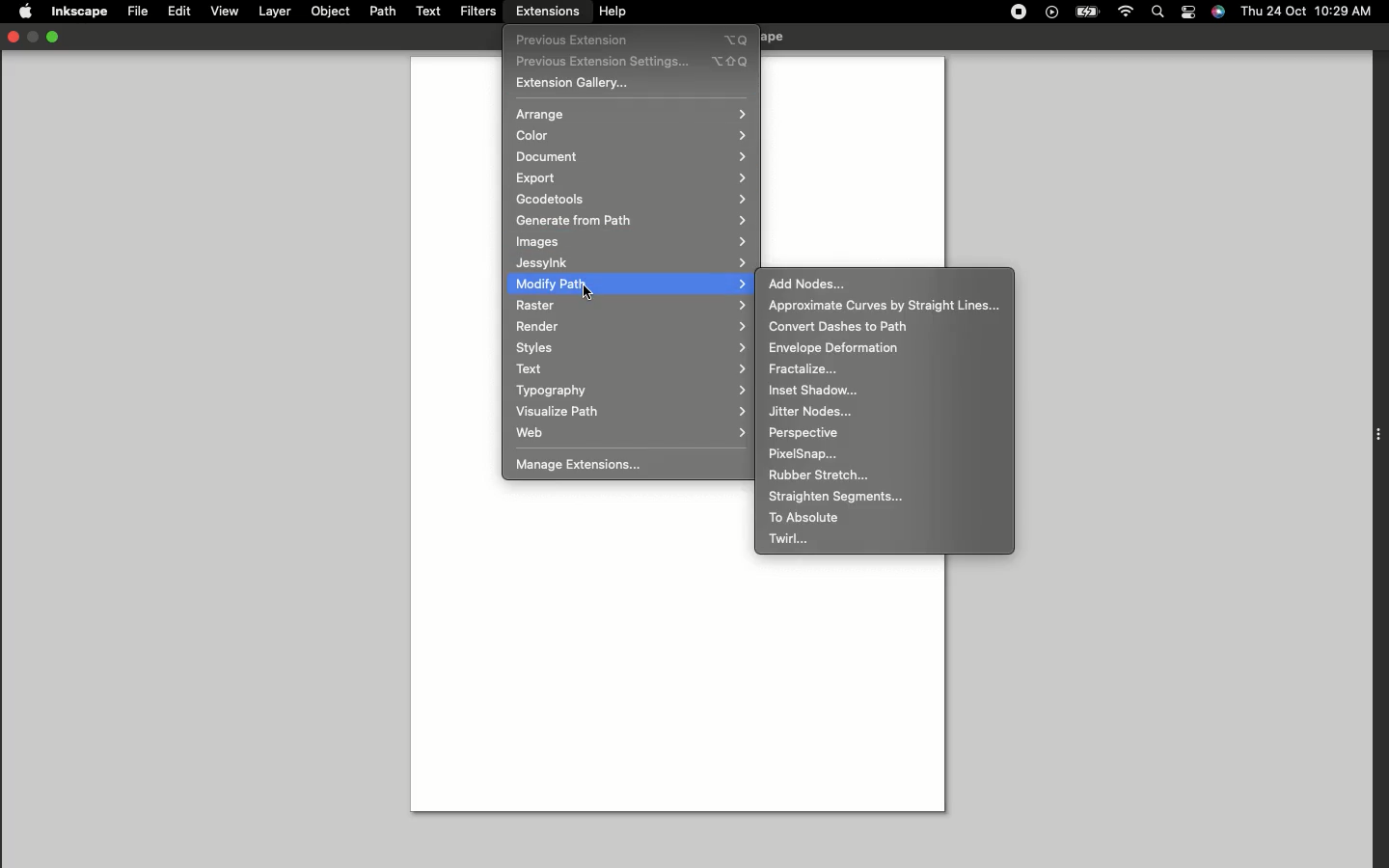  I want to click on Manage Extensions, so click(582, 465).